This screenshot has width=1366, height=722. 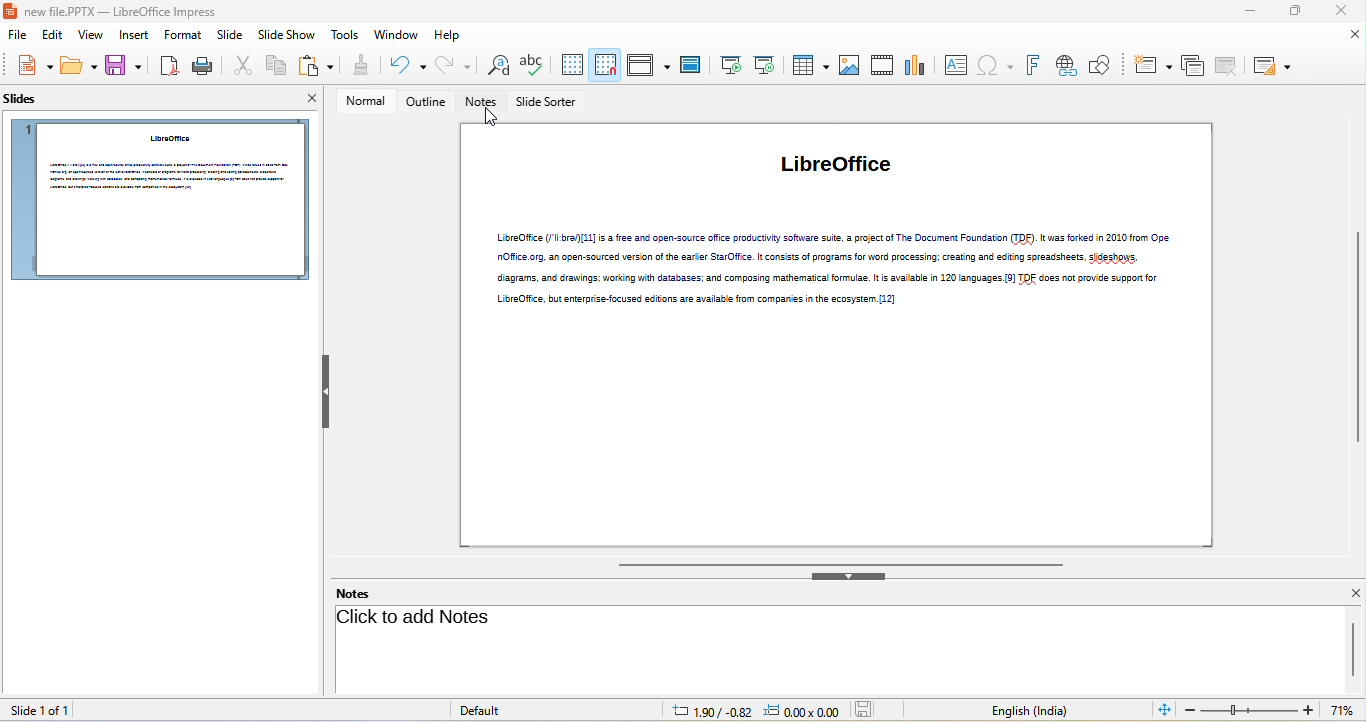 I want to click on new, so click(x=30, y=66).